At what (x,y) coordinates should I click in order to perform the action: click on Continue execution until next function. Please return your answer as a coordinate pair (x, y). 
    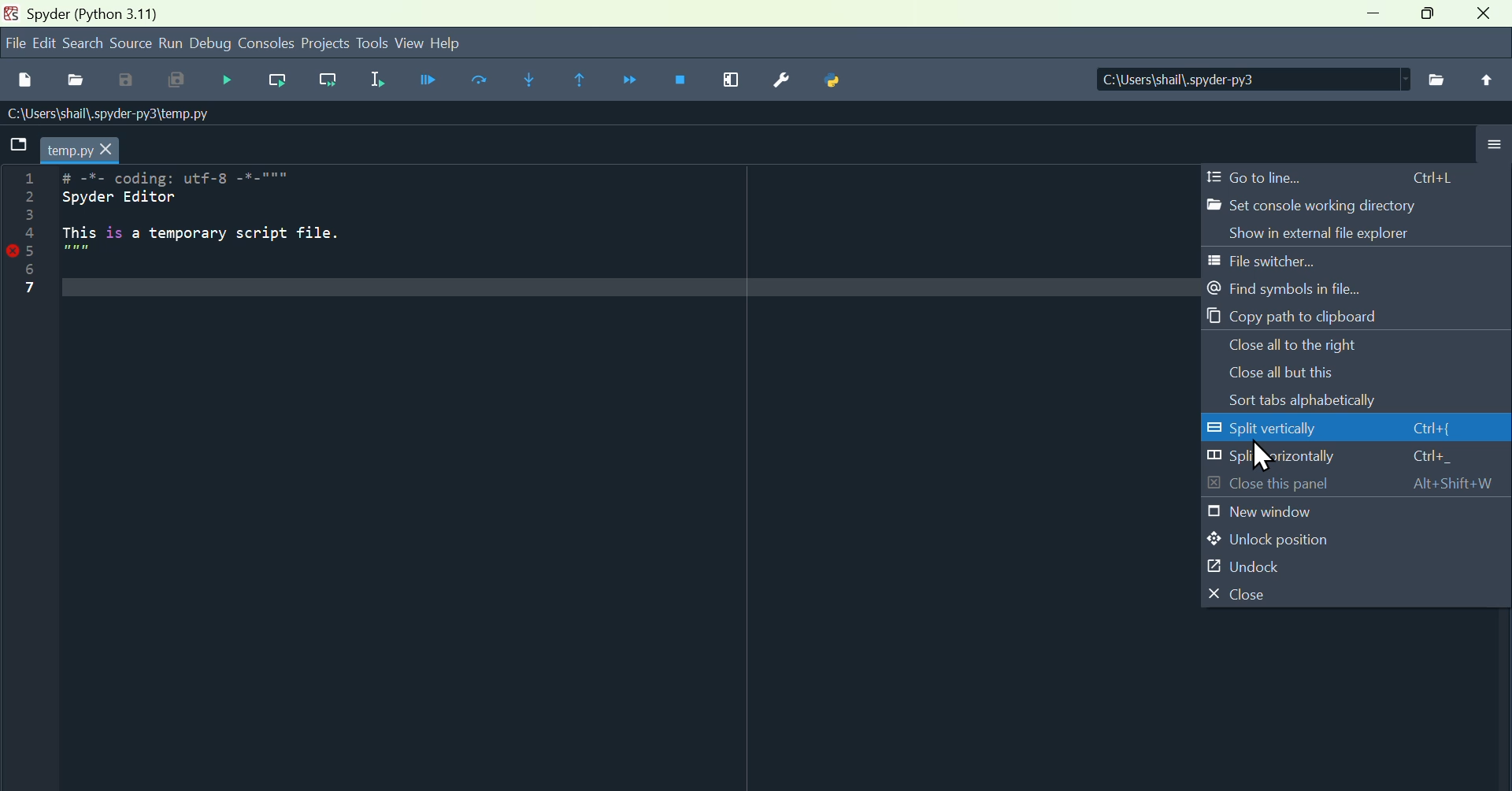
    Looking at the image, I should click on (636, 80).